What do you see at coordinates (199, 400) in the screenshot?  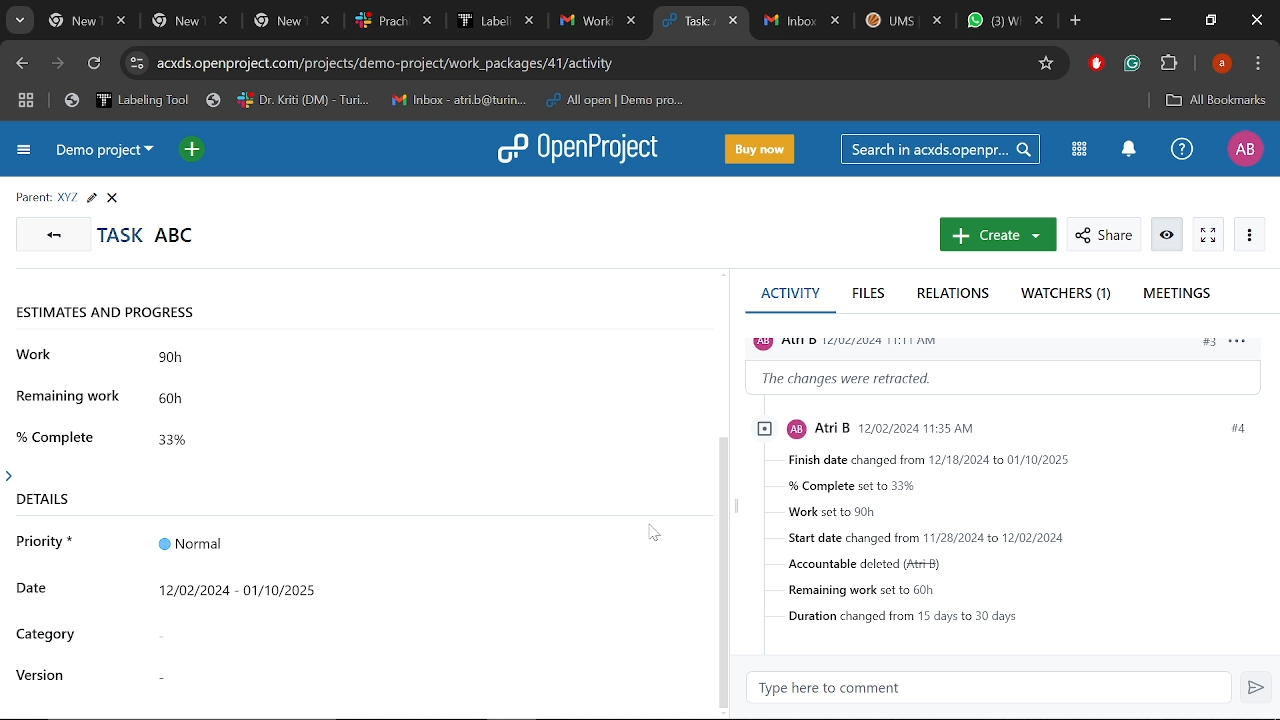 I see `60h` at bounding box center [199, 400].